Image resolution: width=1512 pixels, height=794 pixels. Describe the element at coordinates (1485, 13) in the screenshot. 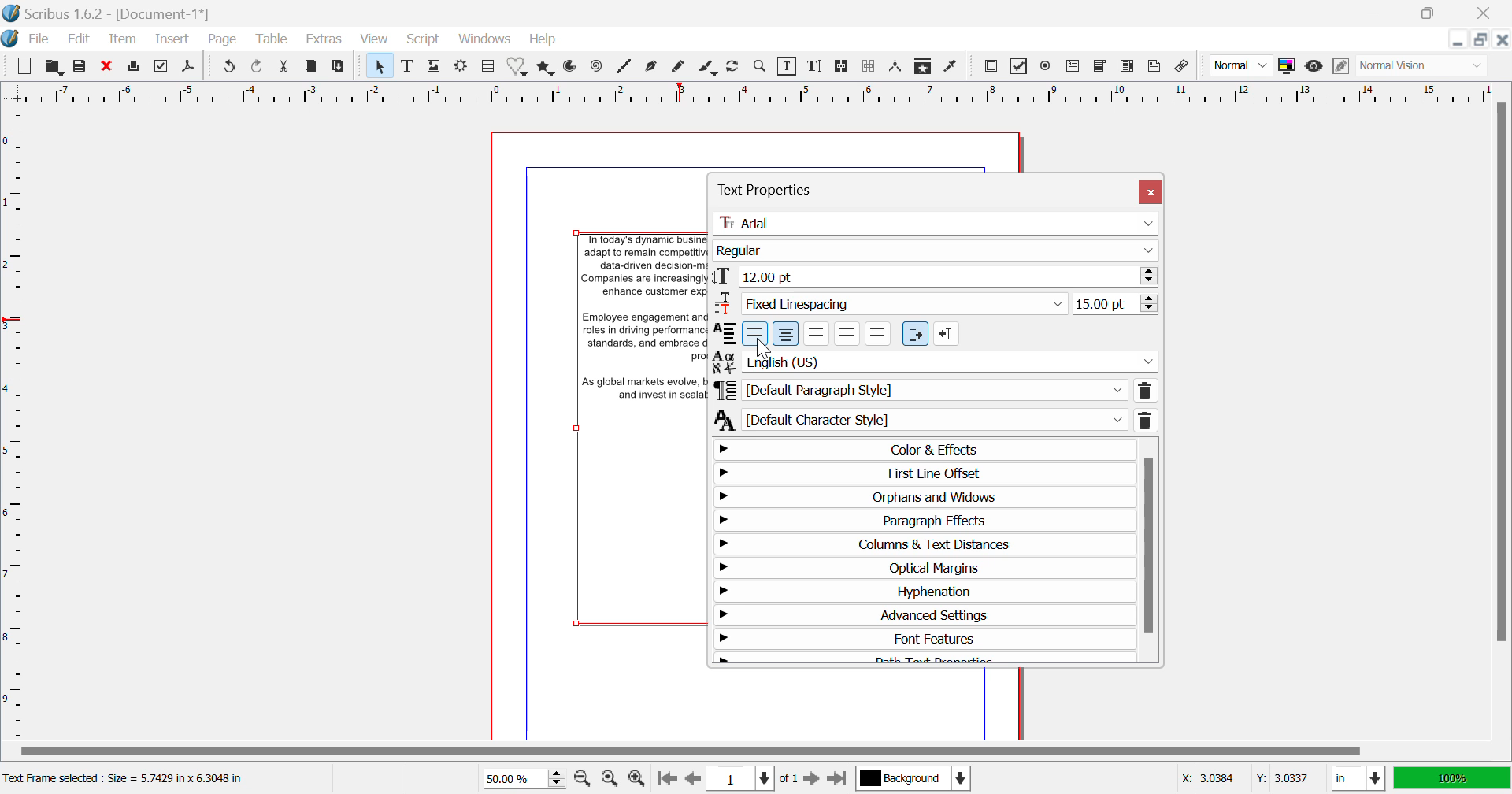

I see `Close` at that location.